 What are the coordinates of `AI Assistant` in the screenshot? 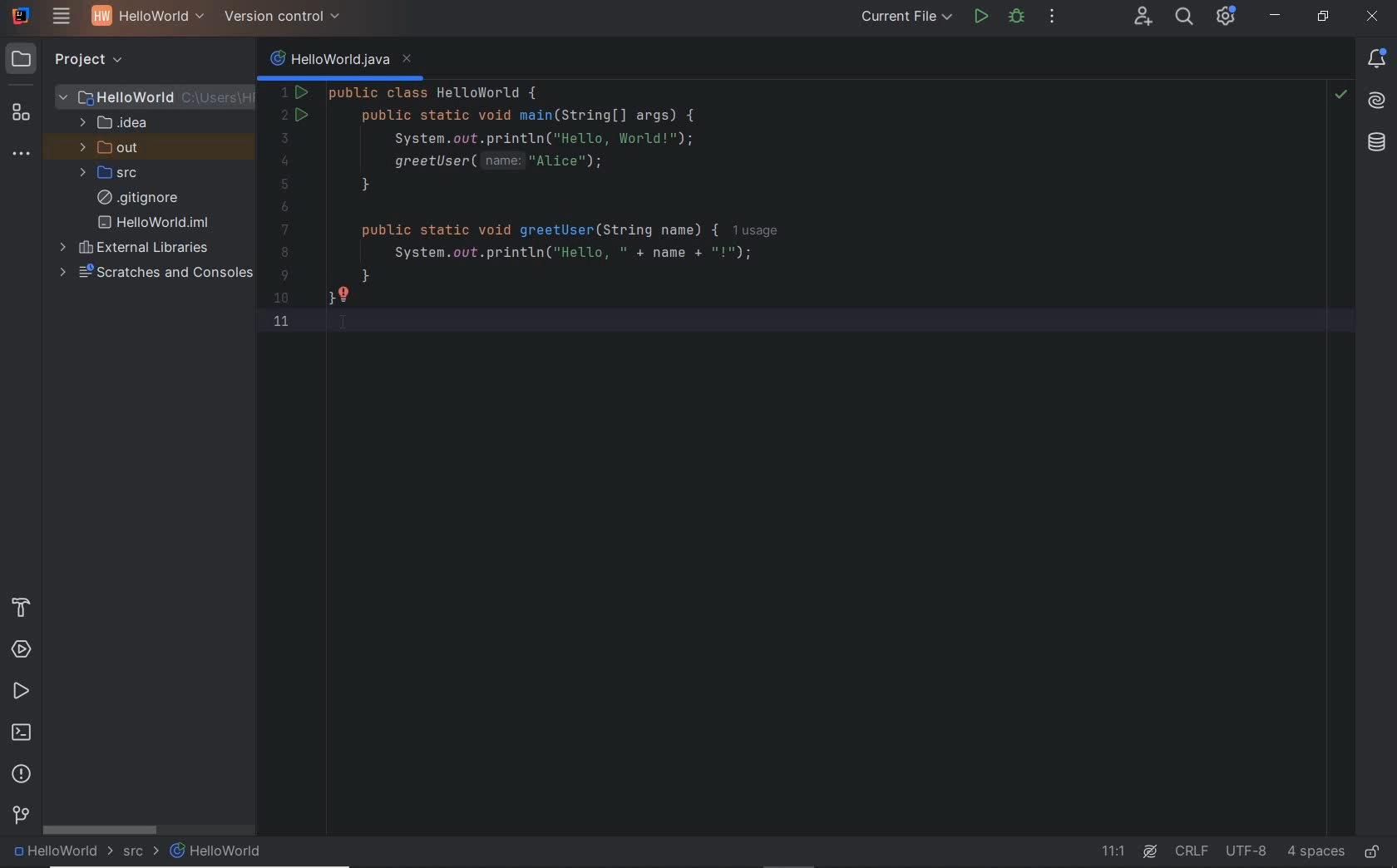 It's located at (1379, 96).